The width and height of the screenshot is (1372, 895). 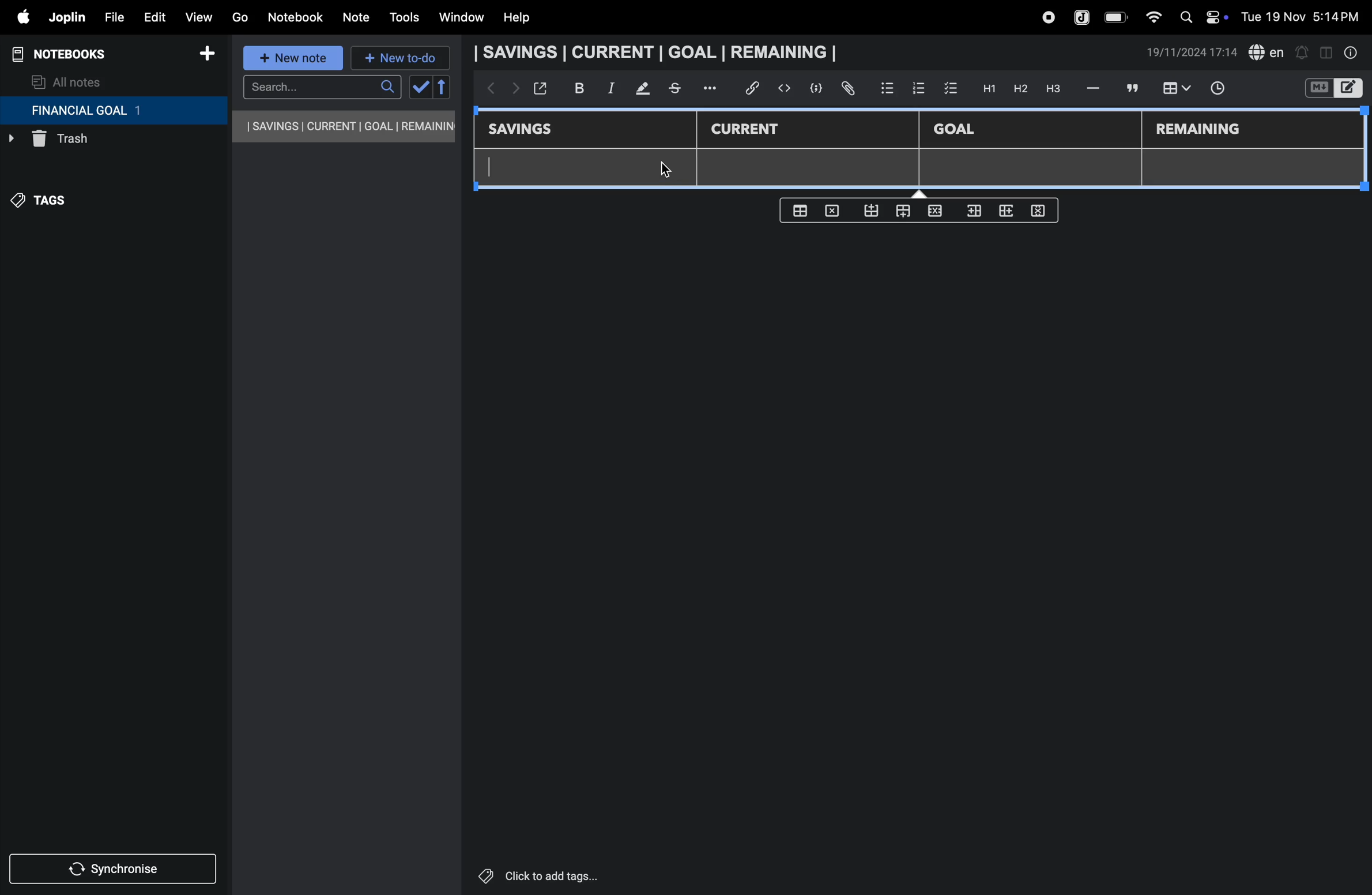 I want to click on date and time, so click(x=1192, y=52).